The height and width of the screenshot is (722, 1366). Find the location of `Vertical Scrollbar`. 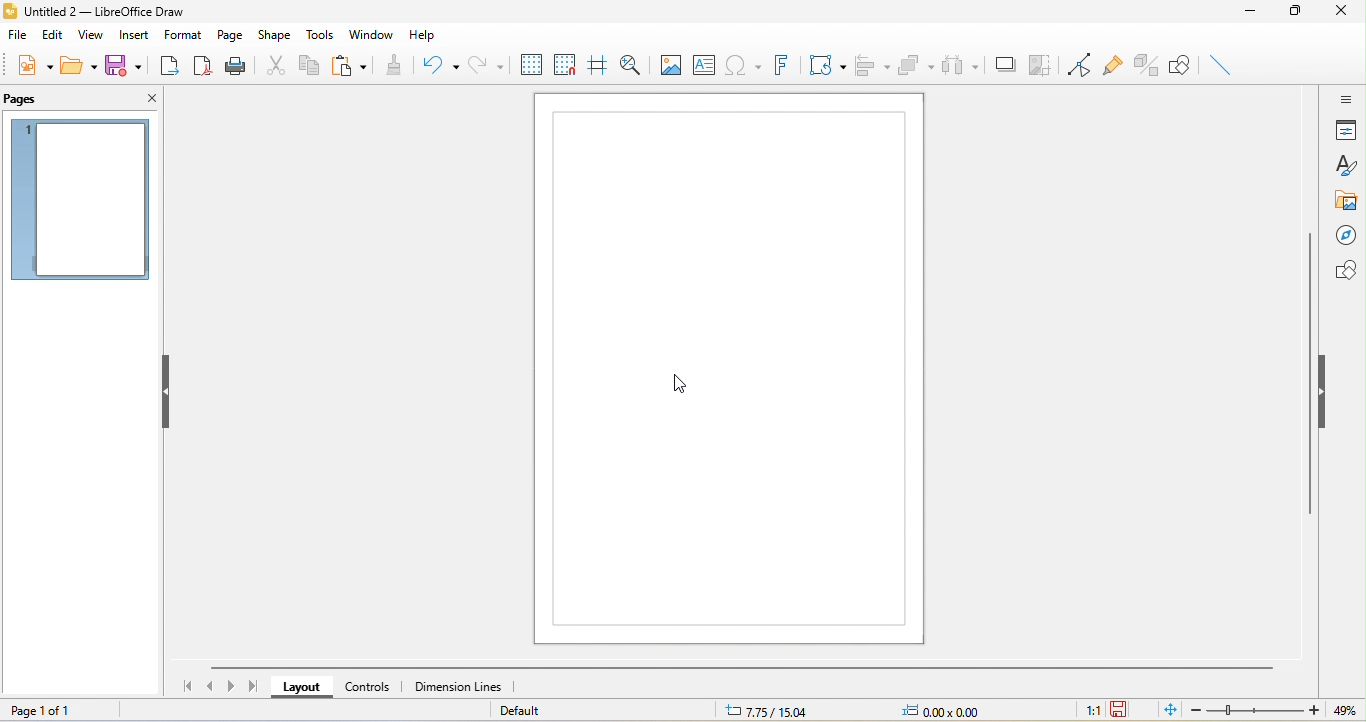

Vertical Scrollbar is located at coordinates (1306, 375).